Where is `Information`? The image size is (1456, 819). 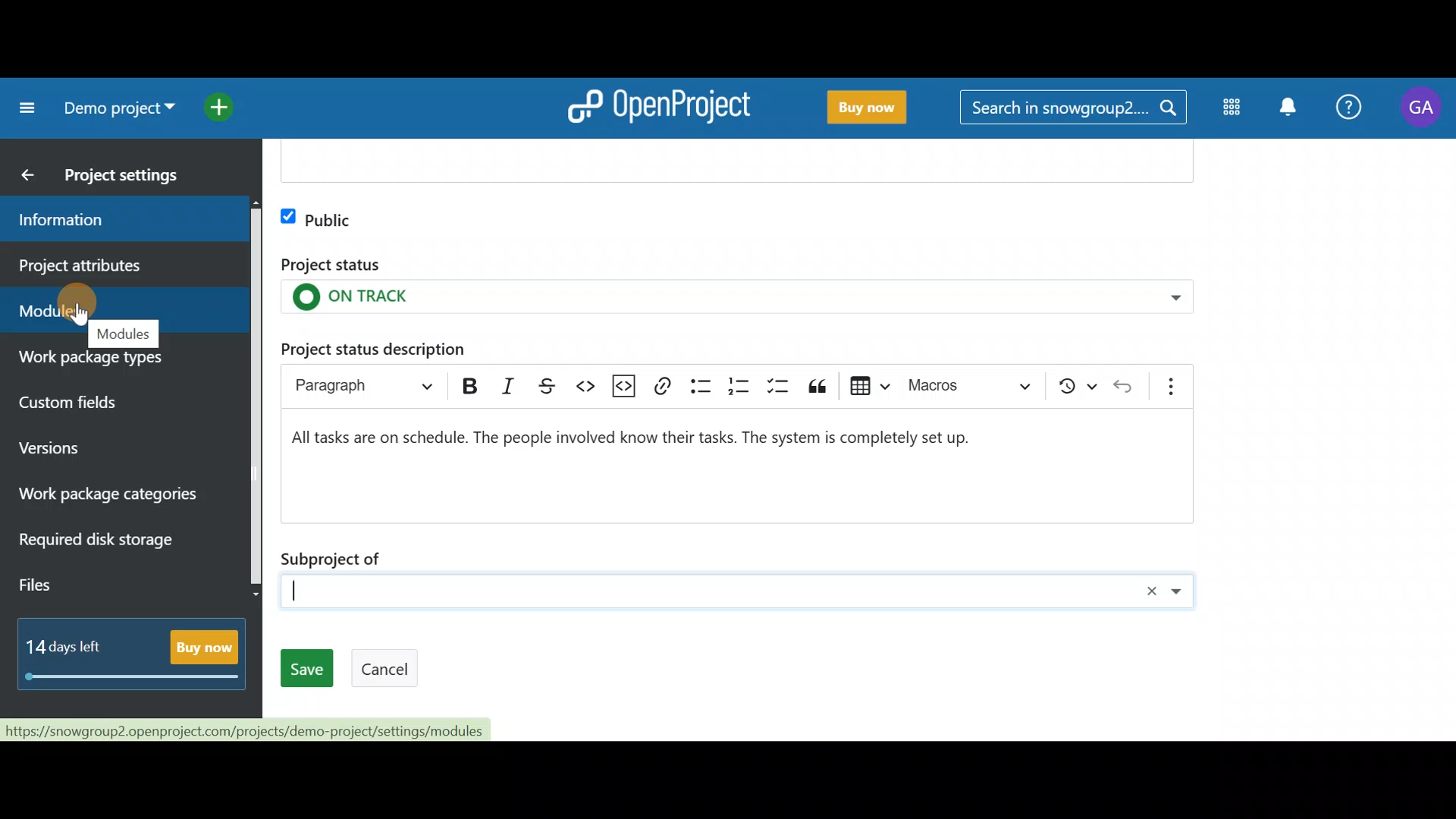
Information is located at coordinates (113, 222).